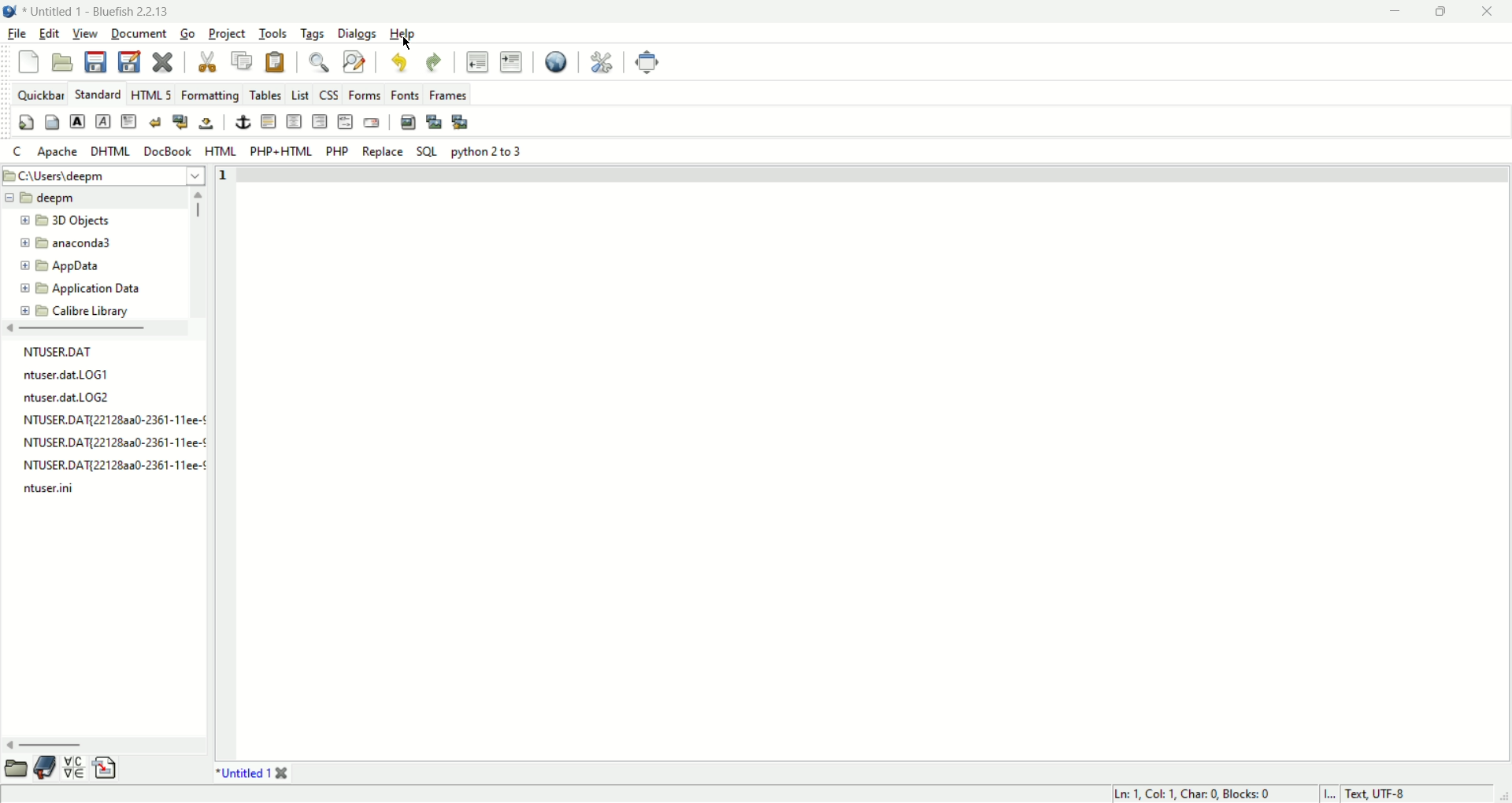  Describe the element at coordinates (1399, 12) in the screenshot. I see `minimize` at that location.